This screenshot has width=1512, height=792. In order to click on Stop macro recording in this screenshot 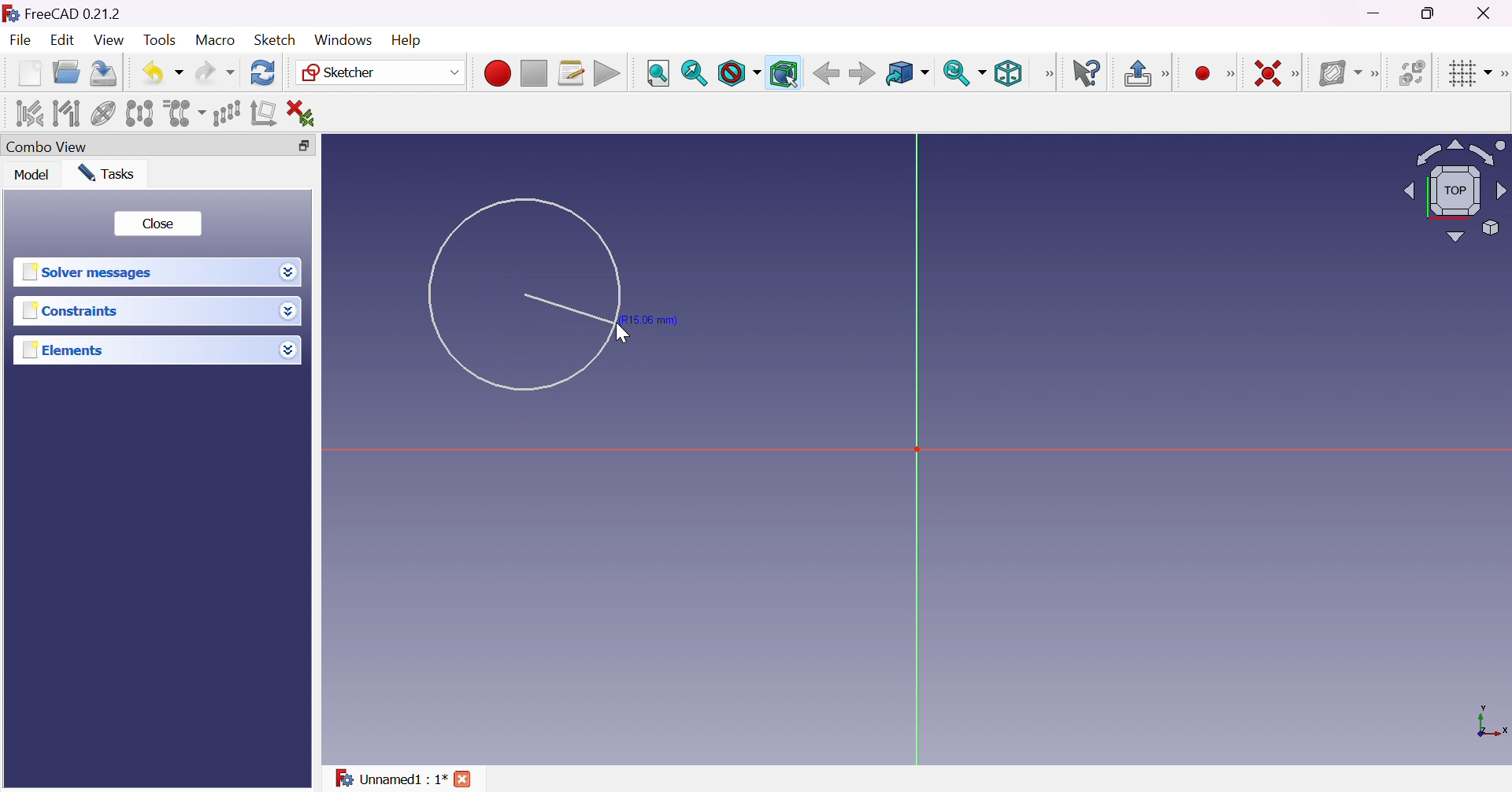, I will do `click(532, 74)`.